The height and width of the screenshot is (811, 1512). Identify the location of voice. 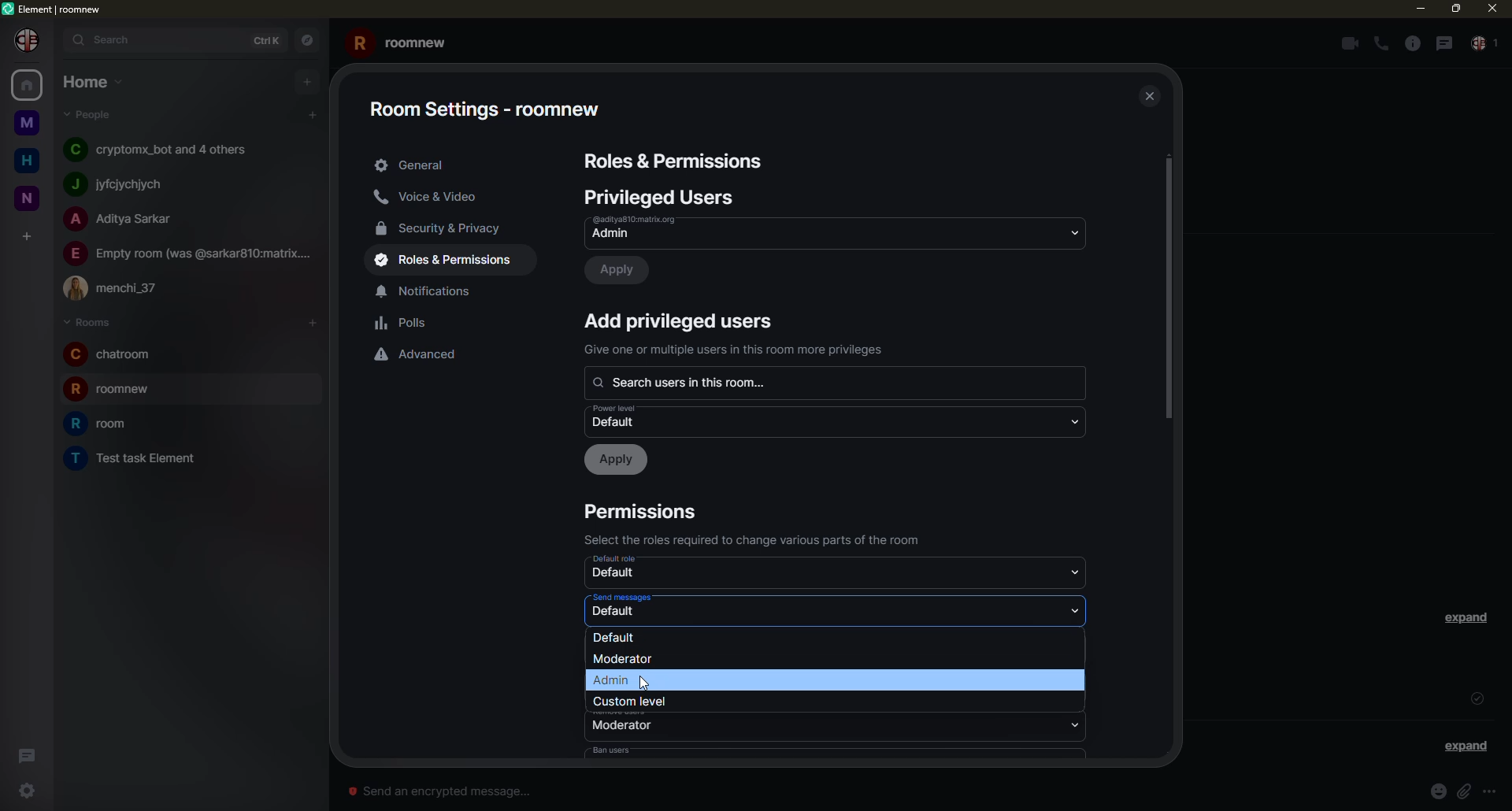
(432, 198).